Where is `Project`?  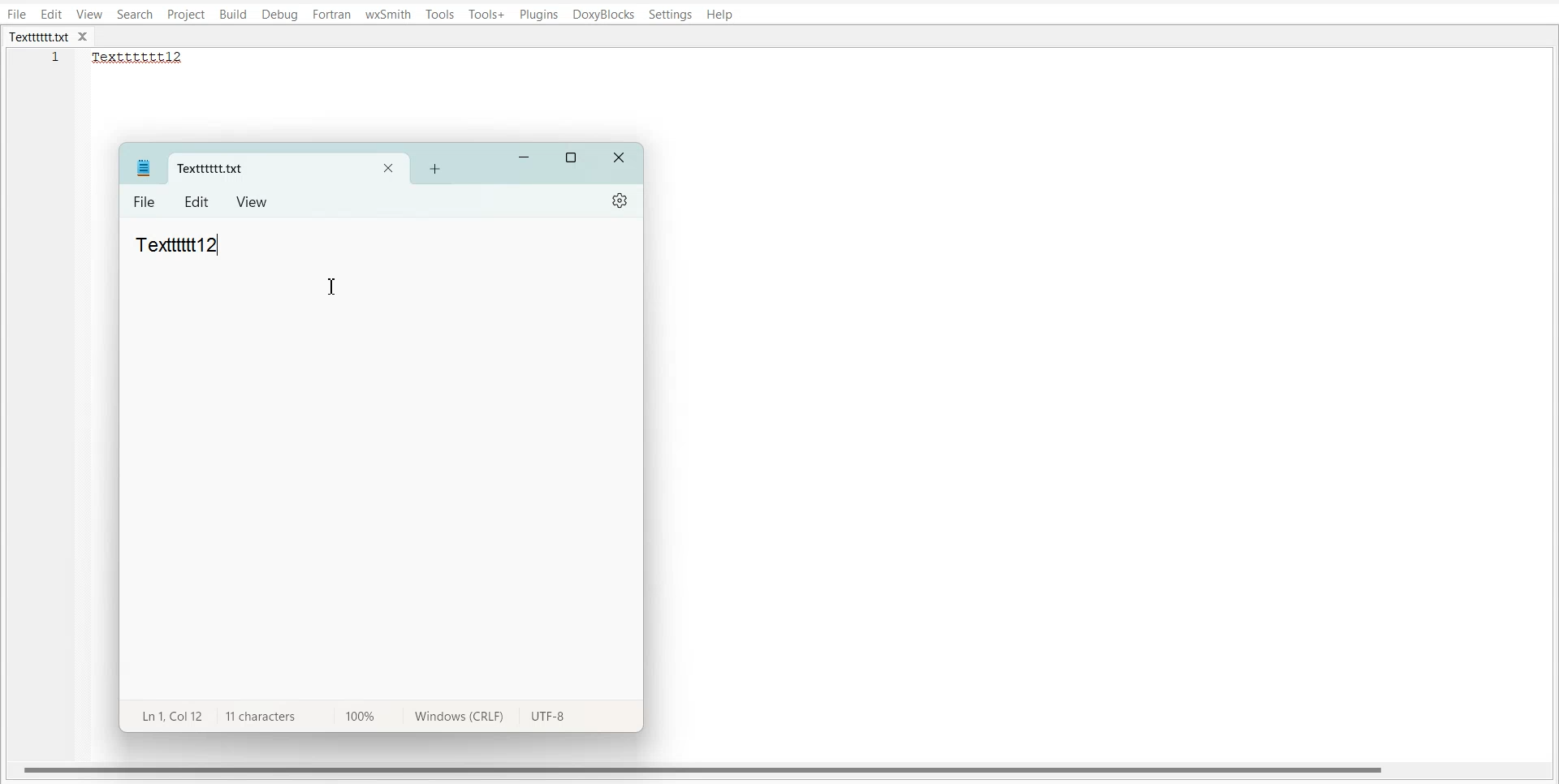
Project is located at coordinates (185, 15).